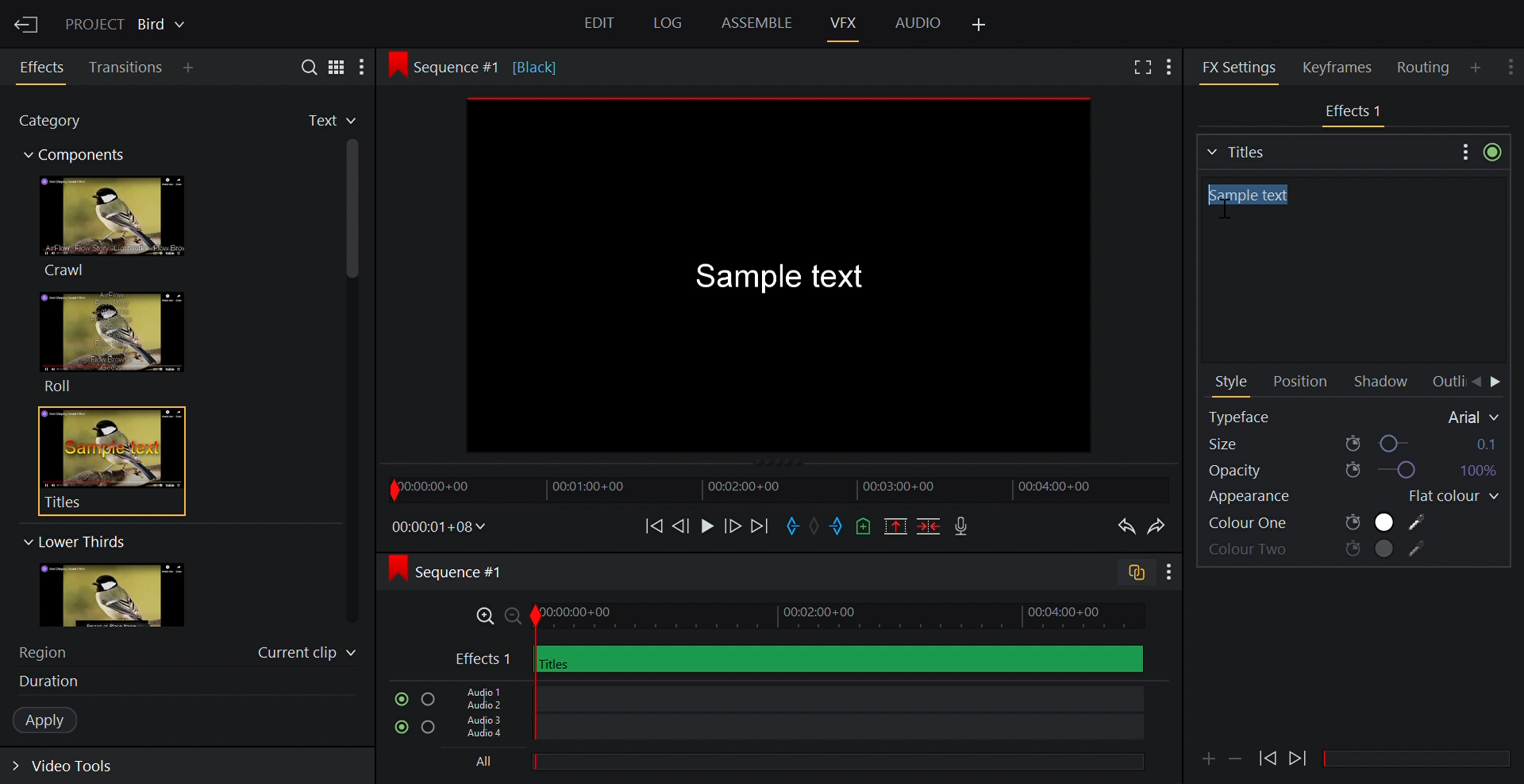  I want to click on VFX, so click(845, 22).